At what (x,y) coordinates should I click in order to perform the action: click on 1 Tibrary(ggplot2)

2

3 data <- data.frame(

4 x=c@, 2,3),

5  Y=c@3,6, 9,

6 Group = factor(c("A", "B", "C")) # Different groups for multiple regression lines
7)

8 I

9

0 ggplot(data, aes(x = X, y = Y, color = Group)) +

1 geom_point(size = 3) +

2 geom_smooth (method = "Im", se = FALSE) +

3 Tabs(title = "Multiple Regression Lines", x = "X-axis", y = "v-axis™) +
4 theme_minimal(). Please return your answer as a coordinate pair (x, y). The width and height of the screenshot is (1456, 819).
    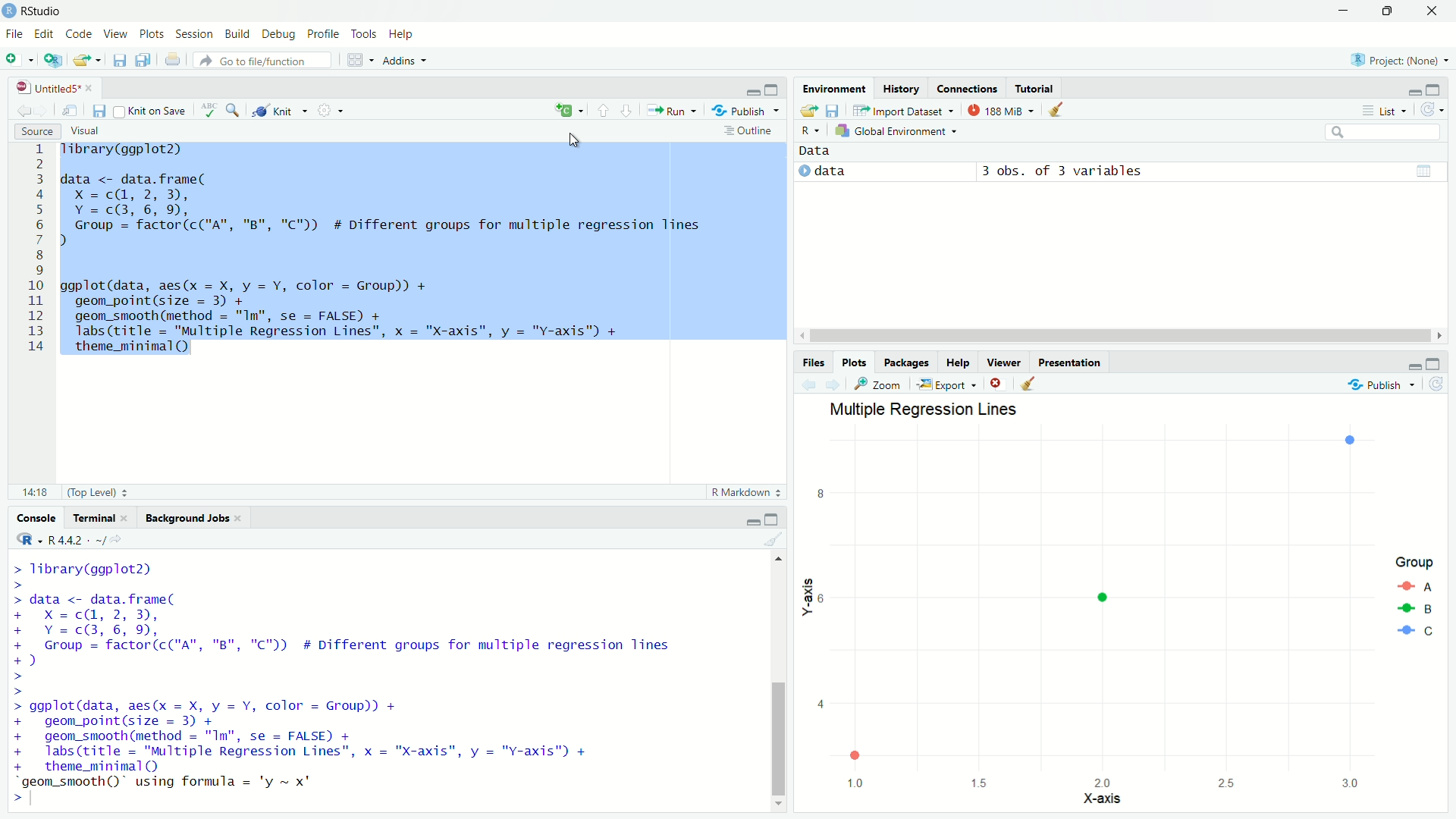
    Looking at the image, I should click on (406, 249).